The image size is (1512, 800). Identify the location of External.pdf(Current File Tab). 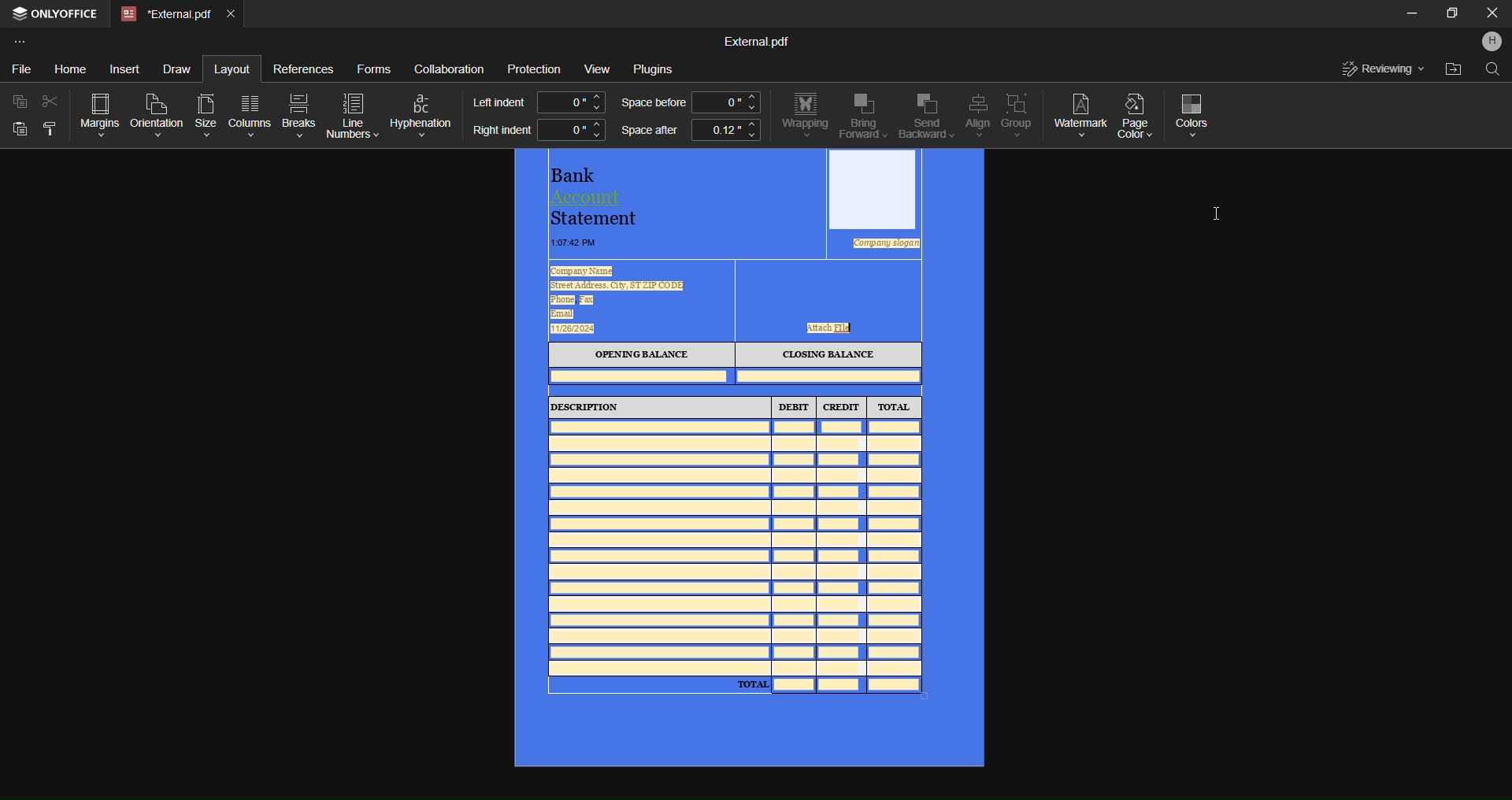
(166, 15).